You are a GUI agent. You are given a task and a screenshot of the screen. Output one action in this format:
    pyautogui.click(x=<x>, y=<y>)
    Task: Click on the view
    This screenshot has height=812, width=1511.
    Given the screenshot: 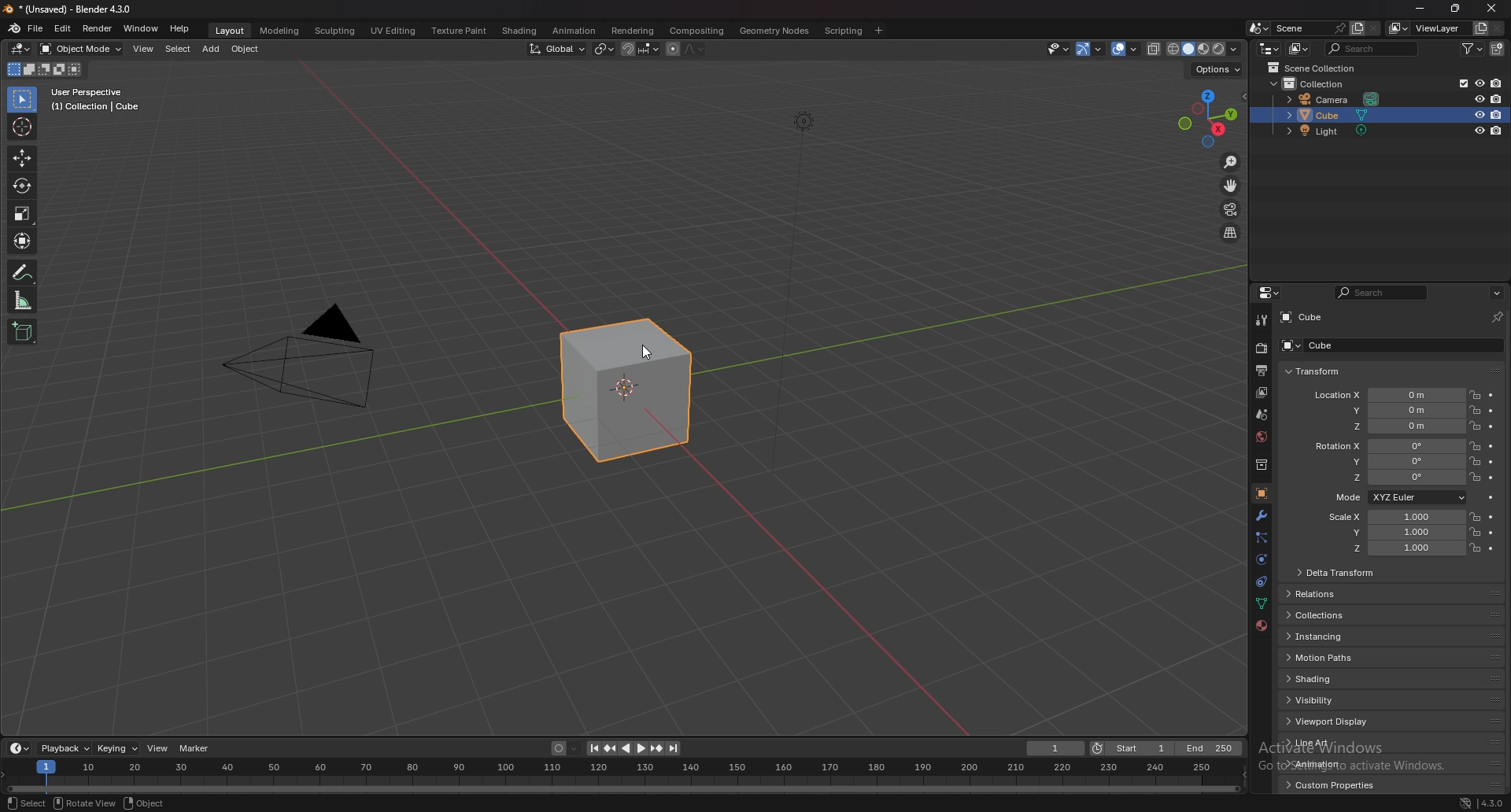 What is the action you would take?
    pyautogui.click(x=157, y=747)
    